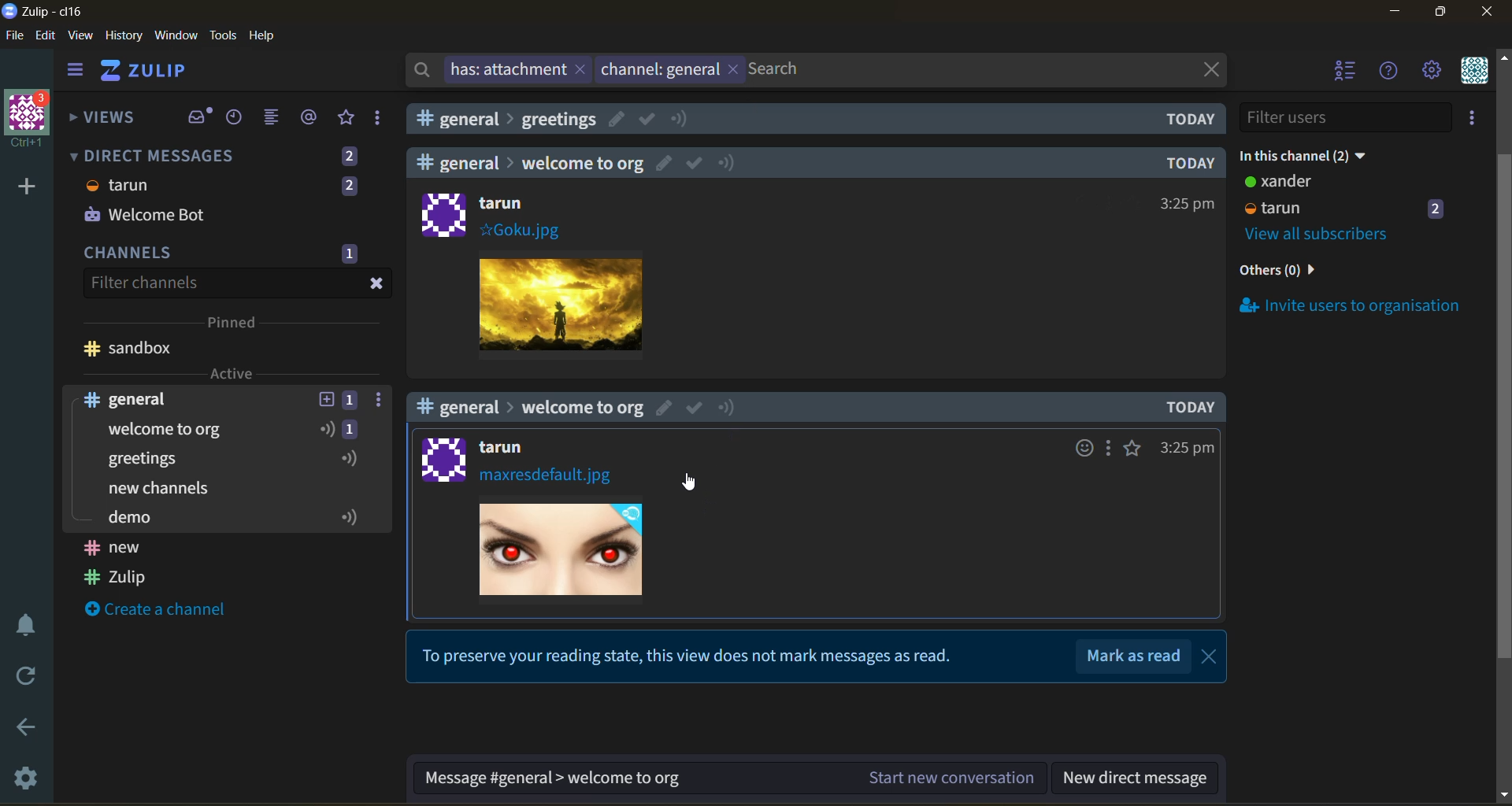 This screenshot has height=806, width=1512. Describe the element at coordinates (498, 70) in the screenshot. I see `has: attachment` at that location.